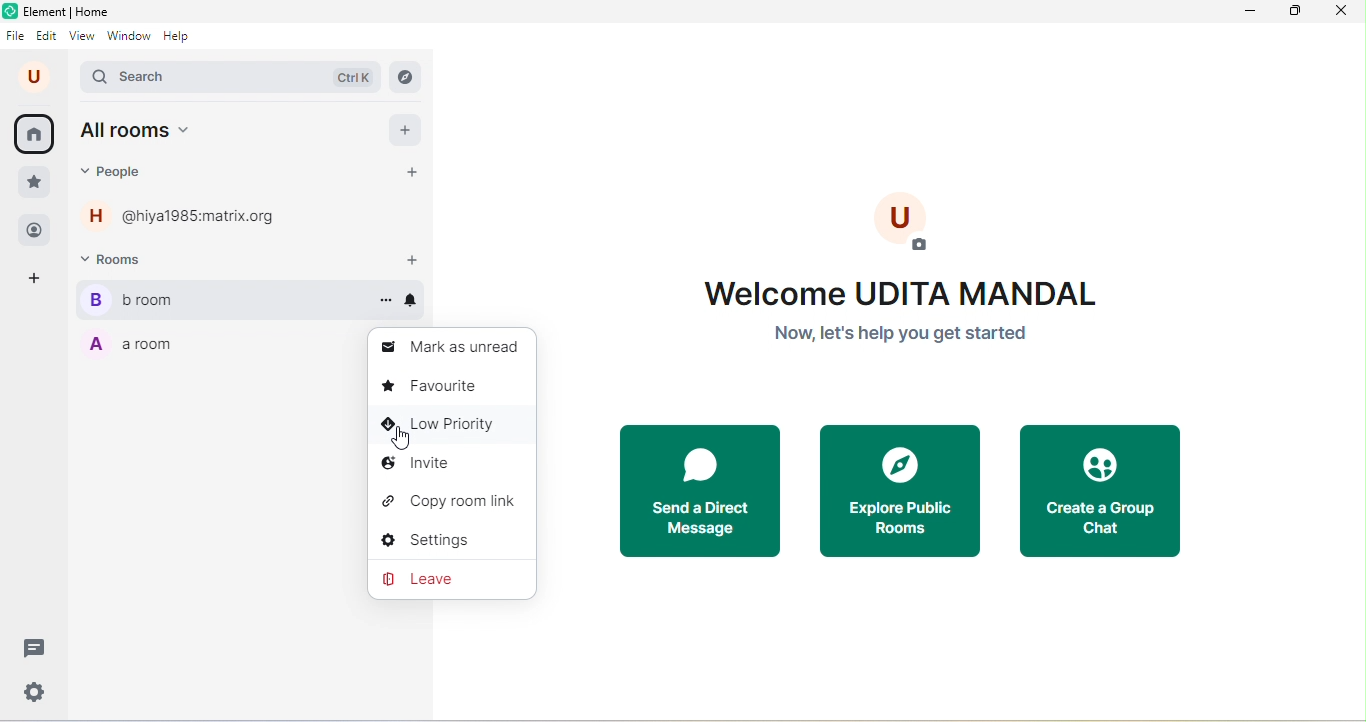  What do you see at coordinates (14, 36) in the screenshot?
I see `file` at bounding box center [14, 36].